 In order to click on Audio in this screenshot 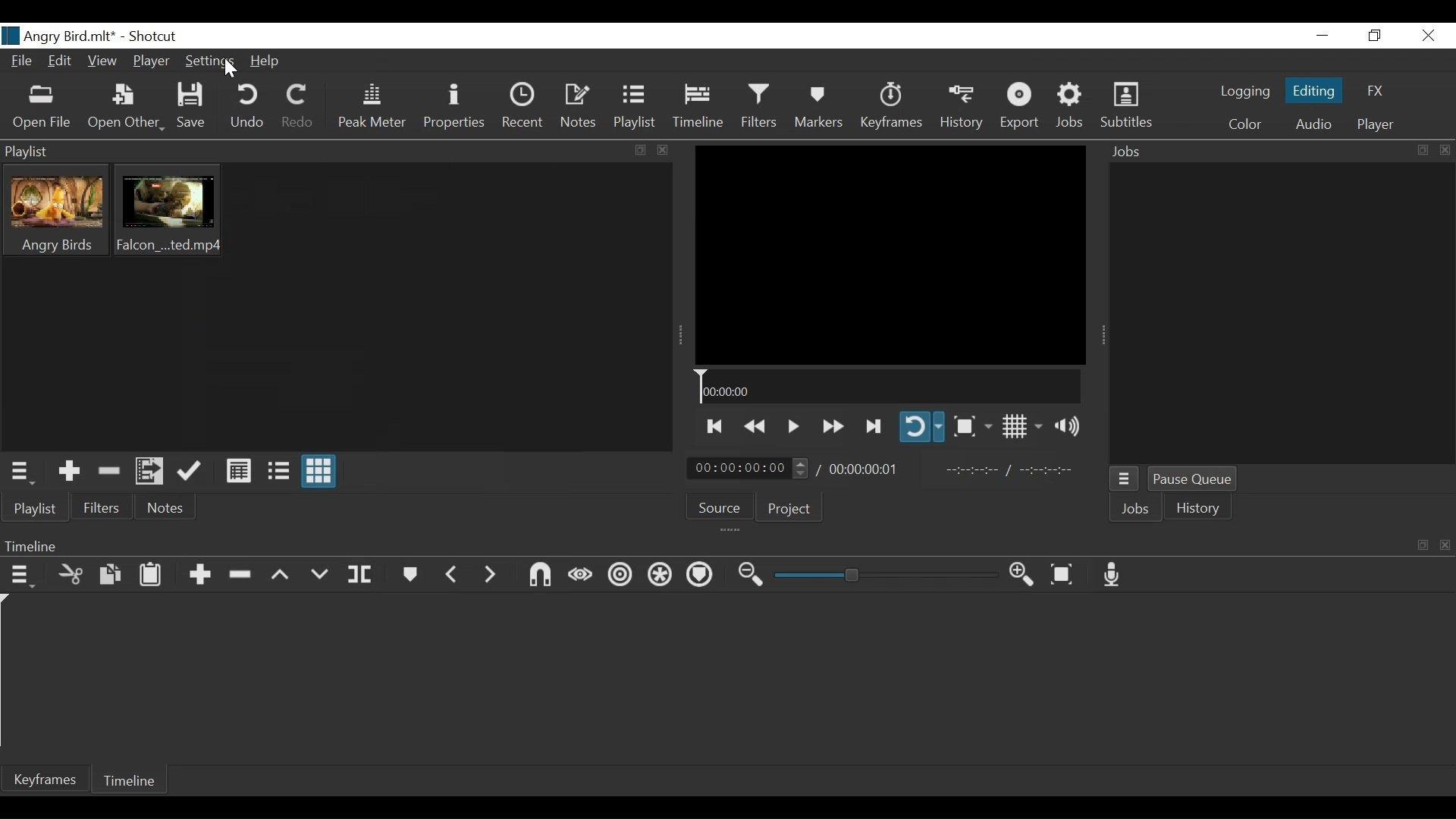, I will do `click(1313, 127)`.